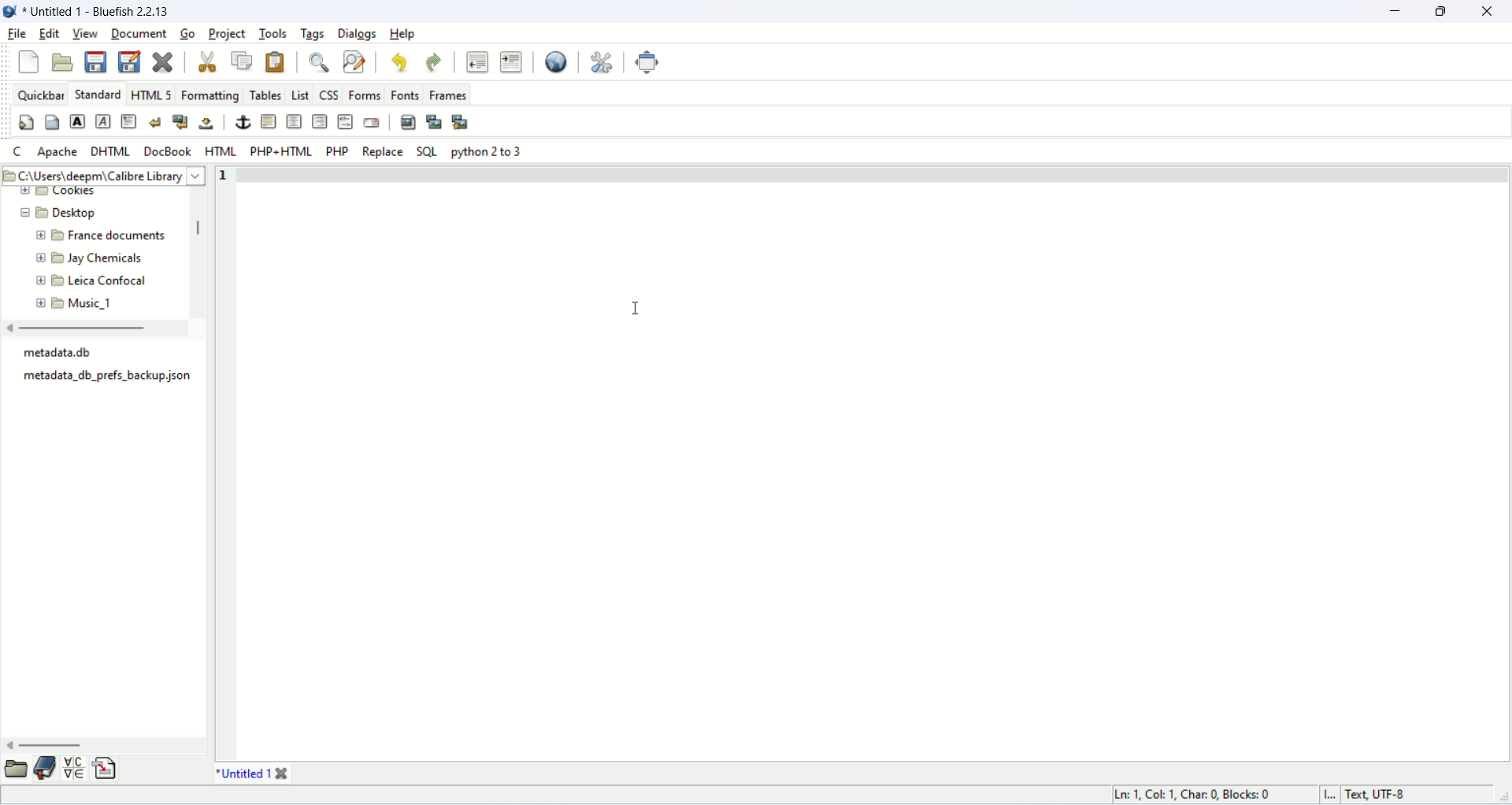 The width and height of the screenshot is (1512, 805). I want to click on C, so click(17, 150).